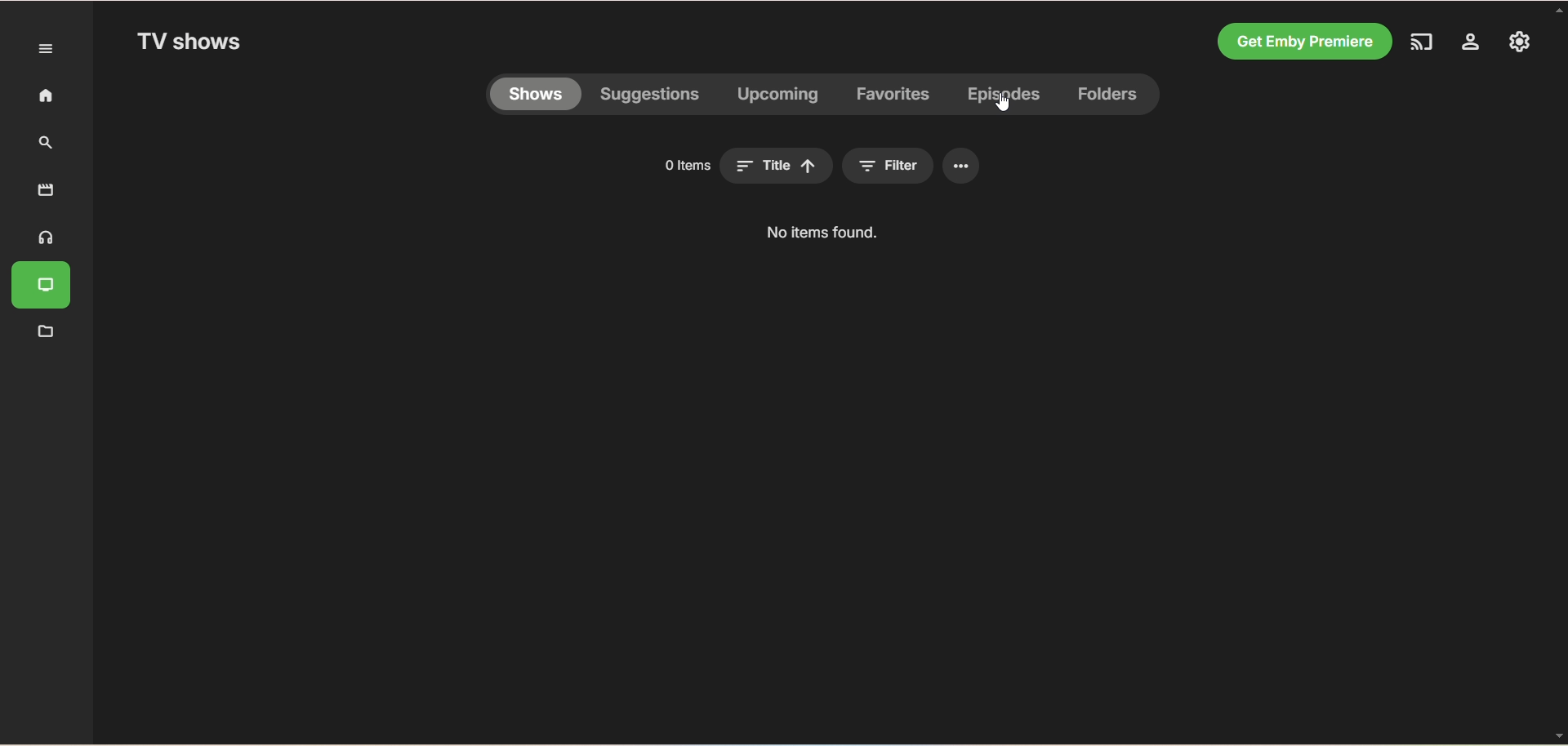  What do you see at coordinates (46, 189) in the screenshot?
I see `movies` at bounding box center [46, 189].